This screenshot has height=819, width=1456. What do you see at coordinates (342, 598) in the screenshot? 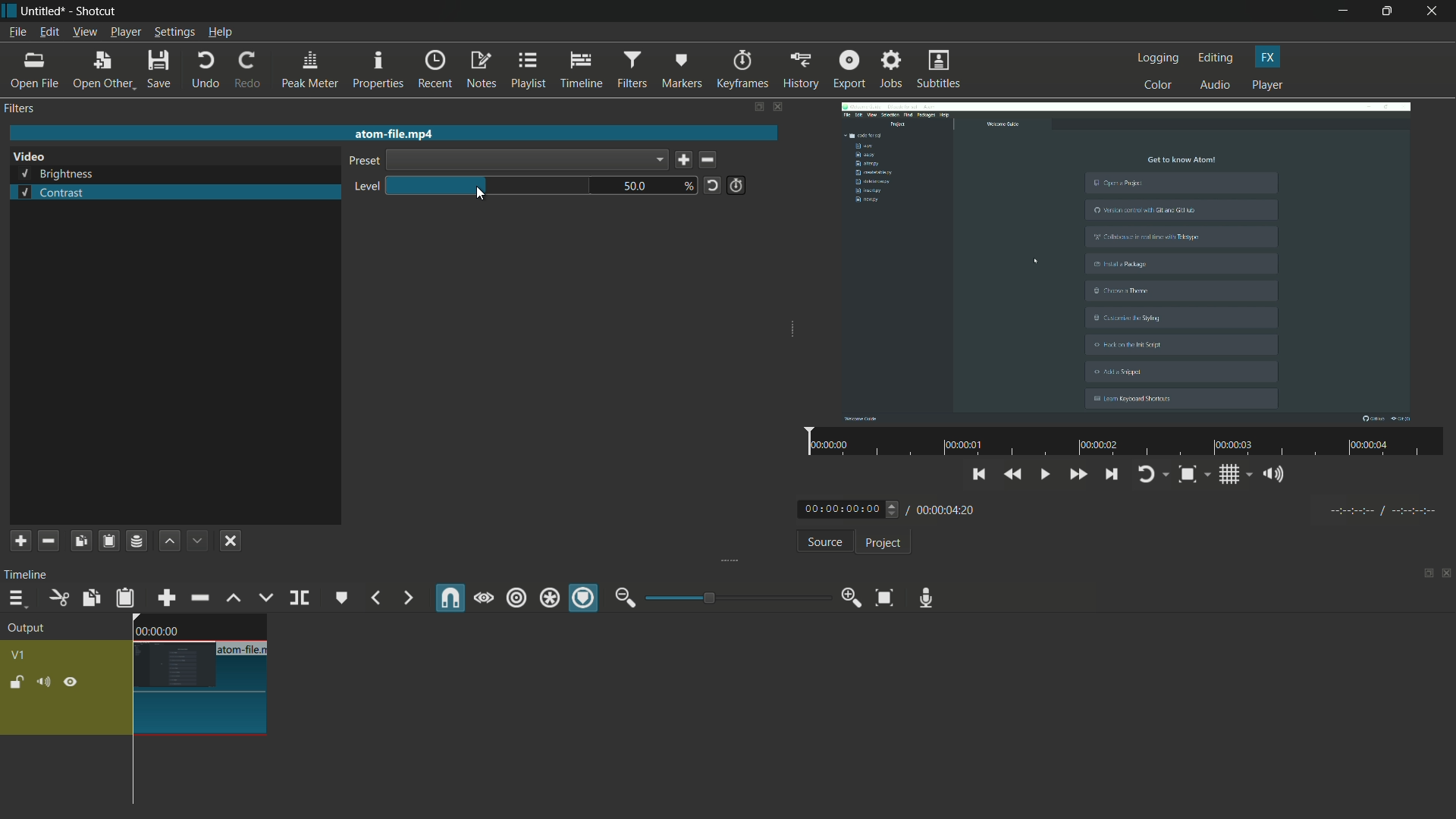
I see `create/edit marker` at bounding box center [342, 598].